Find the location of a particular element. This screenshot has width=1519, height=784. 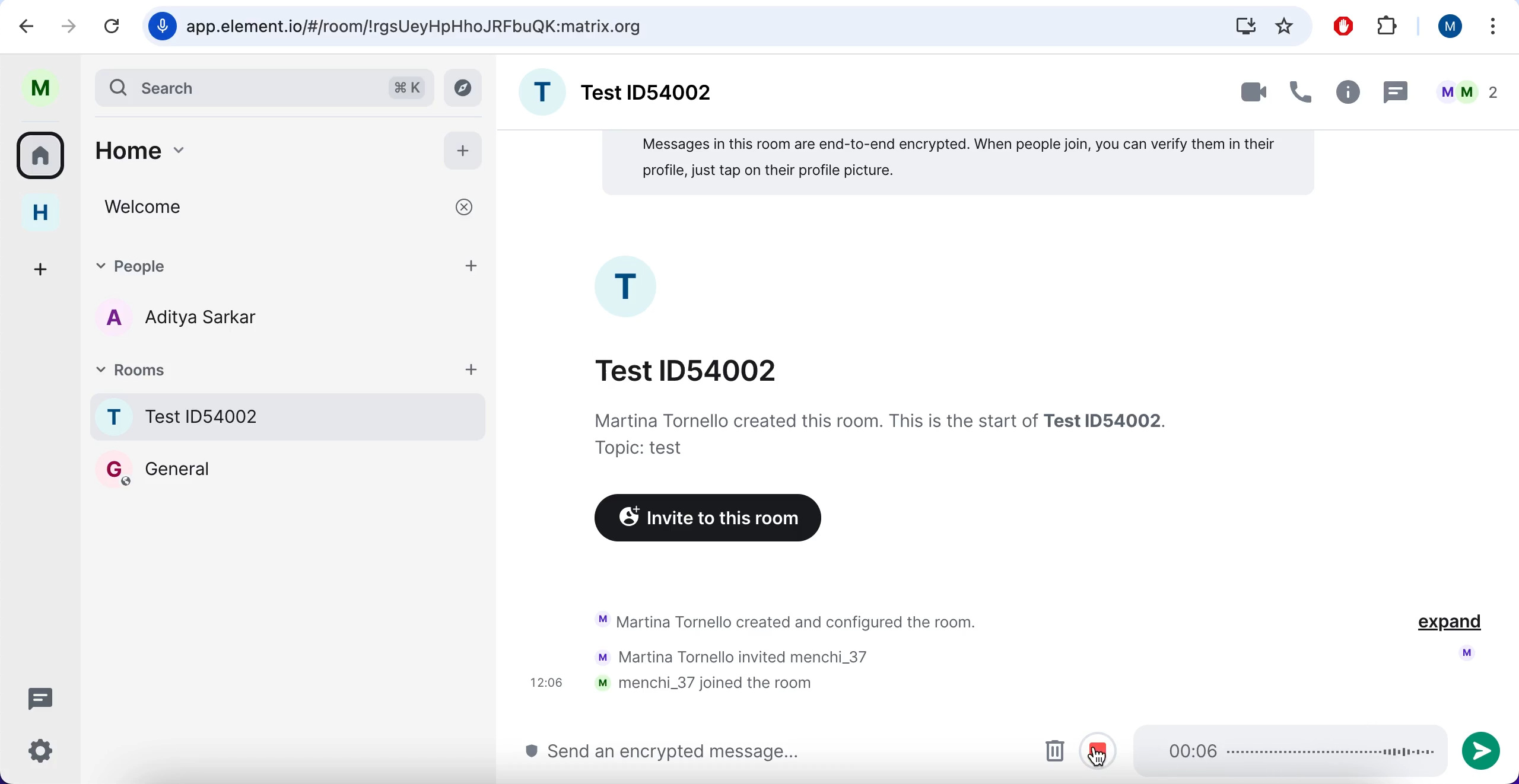

command is located at coordinates (406, 85).